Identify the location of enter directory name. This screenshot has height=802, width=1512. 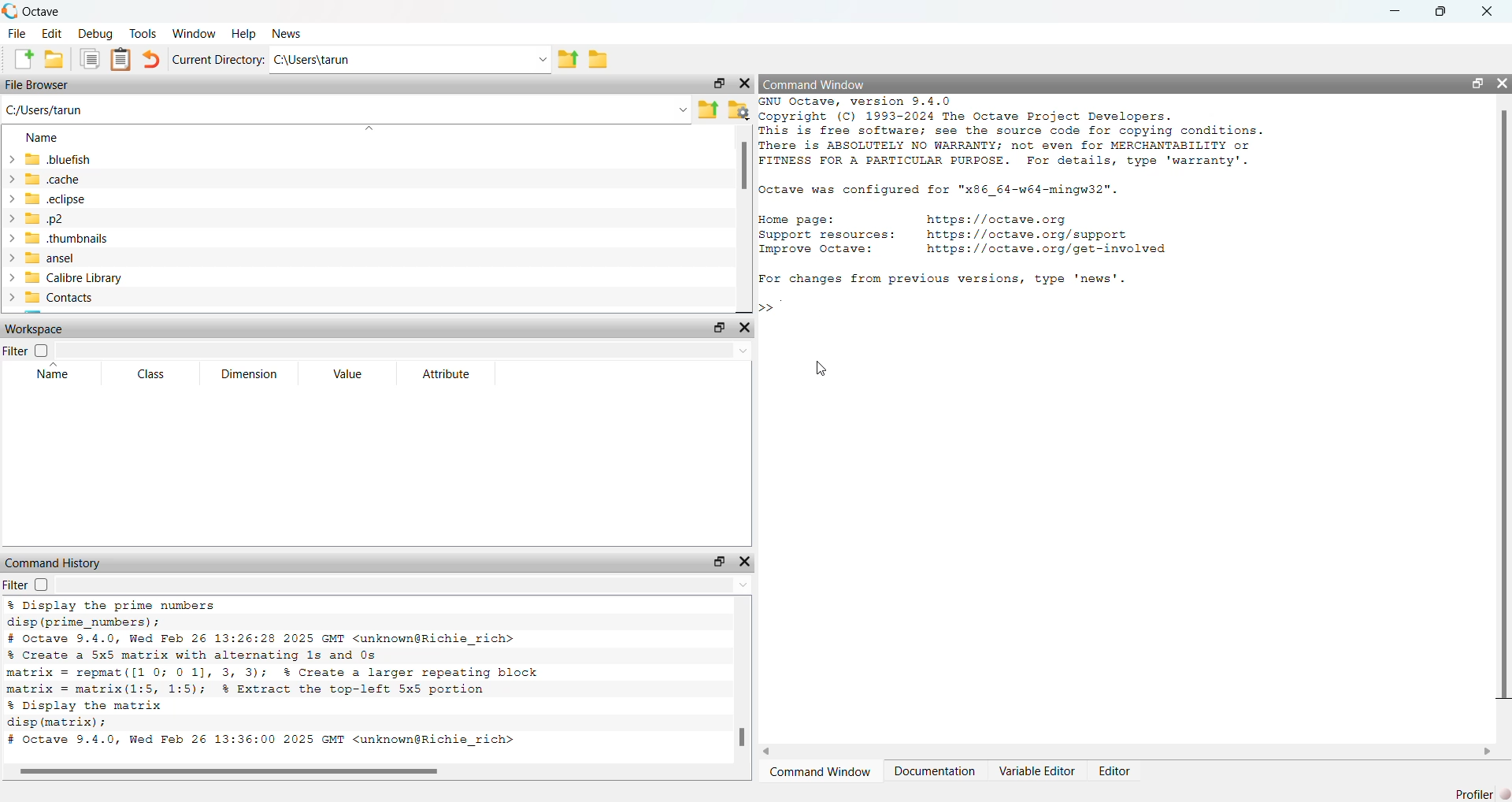
(413, 60).